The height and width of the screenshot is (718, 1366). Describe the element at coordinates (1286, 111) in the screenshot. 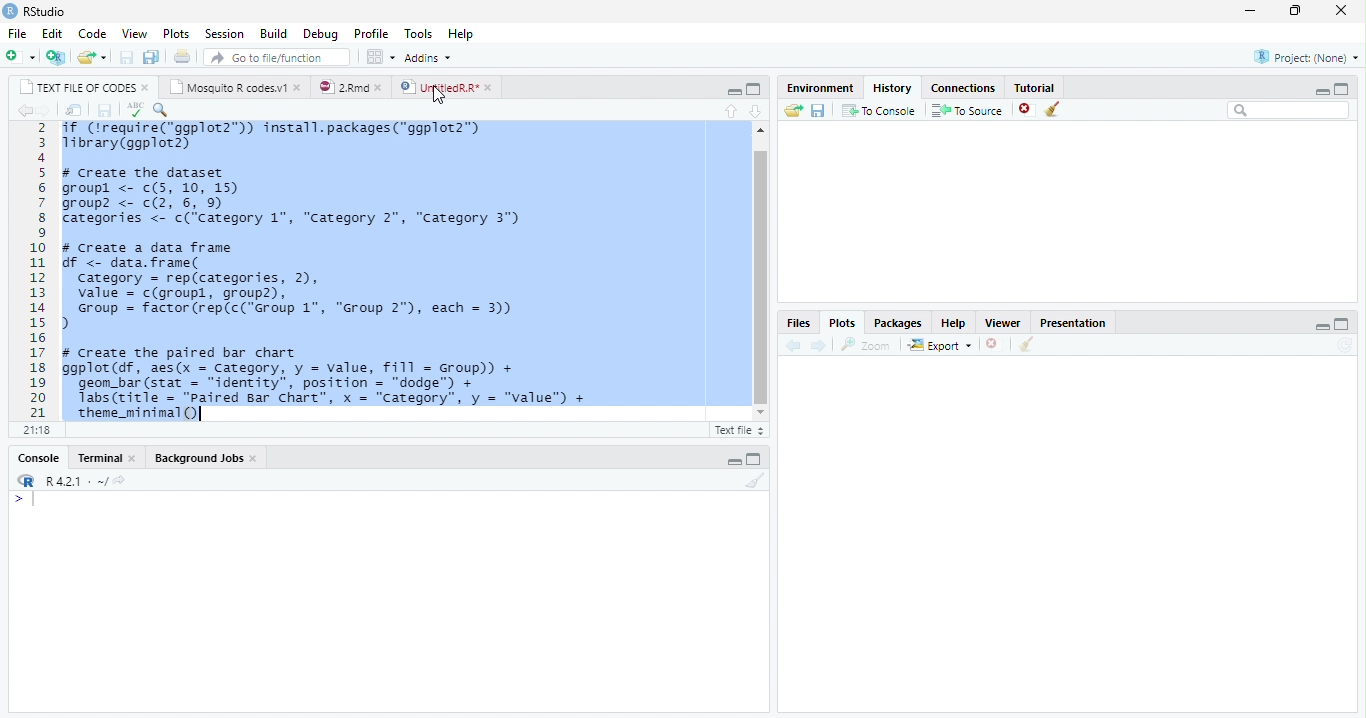

I see `search` at that location.